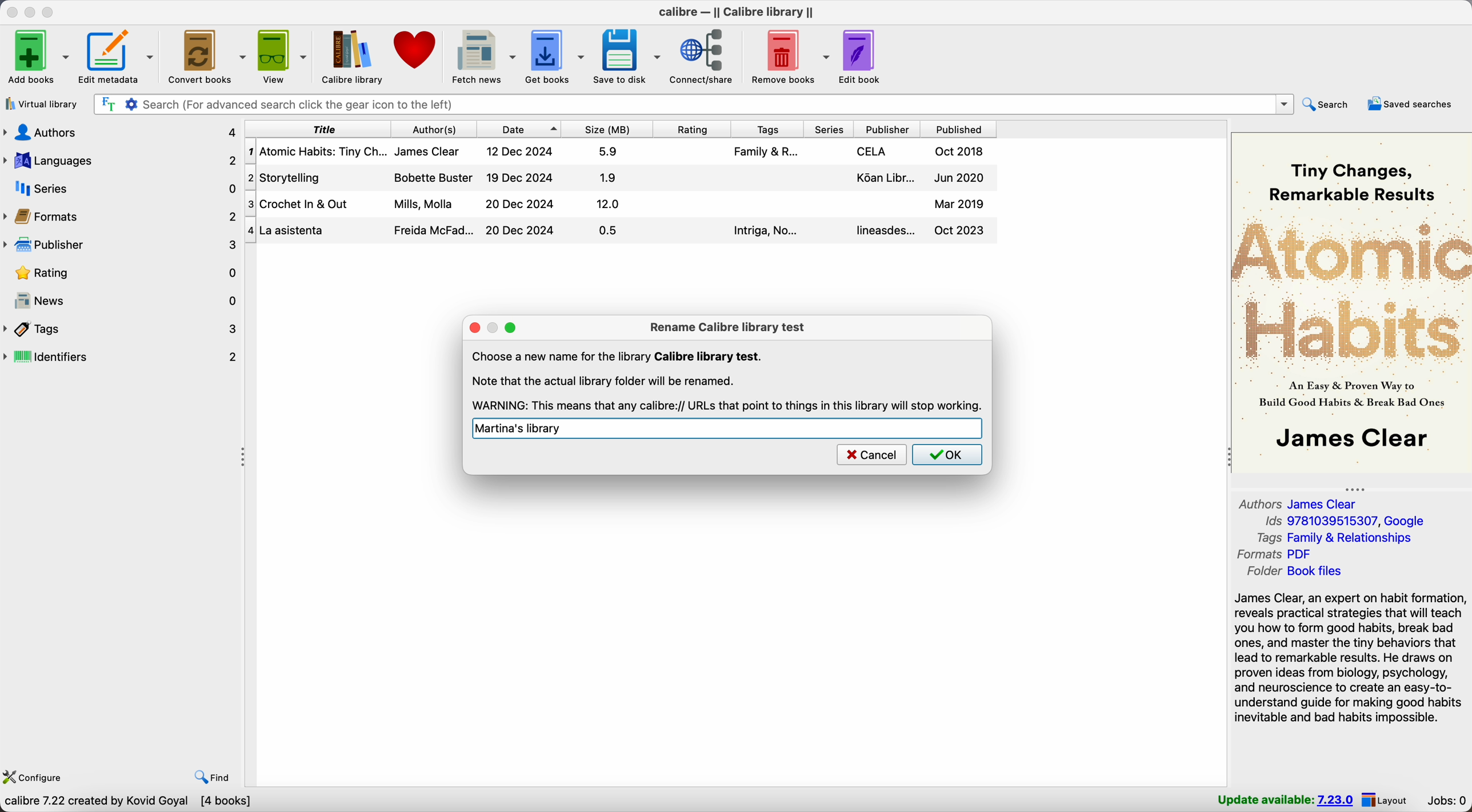 Image resolution: width=1472 pixels, height=812 pixels. Describe the element at coordinates (729, 329) in the screenshot. I see `rename Calibre library test` at that location.